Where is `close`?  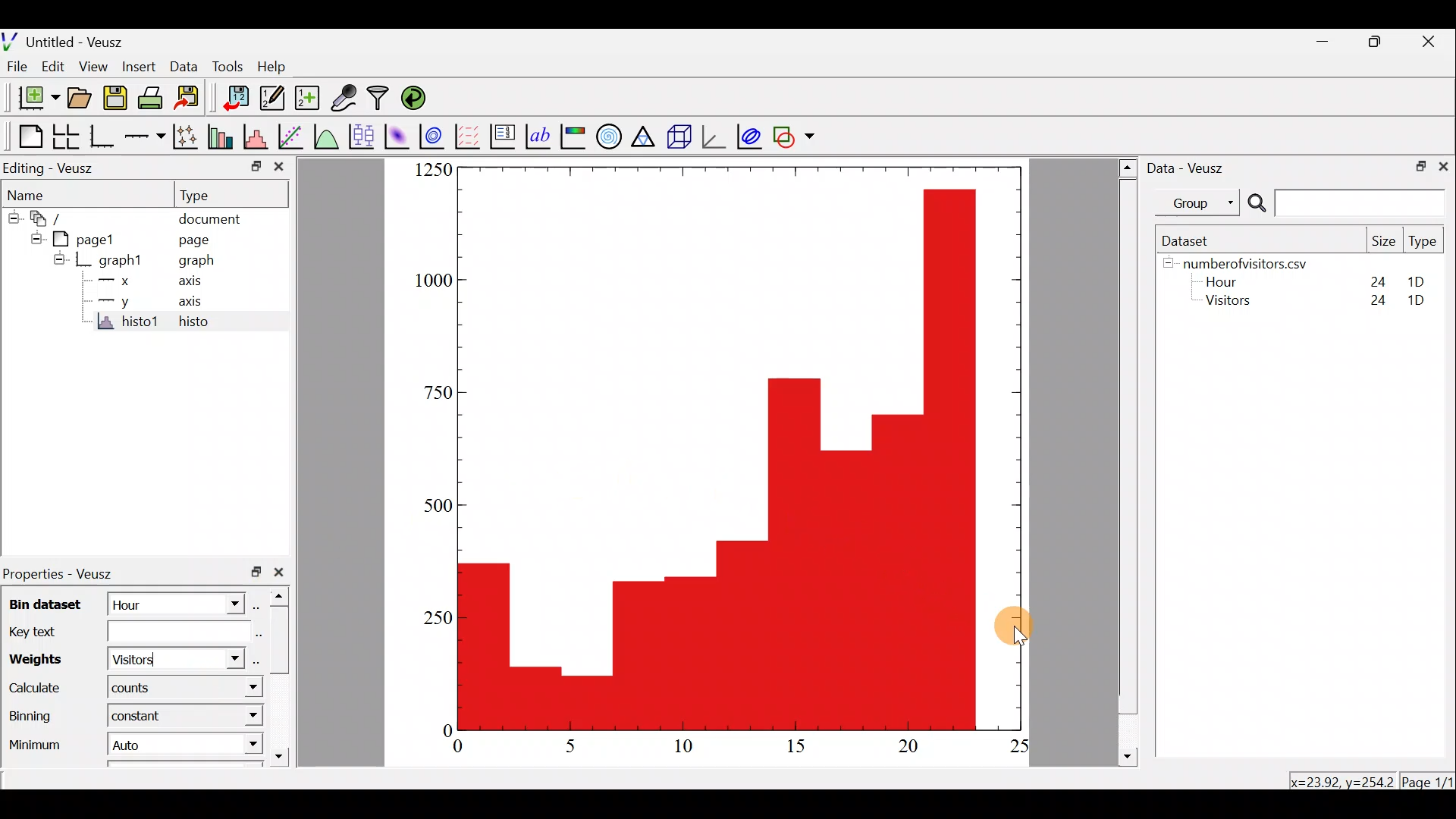 close is located at coordinates (279, 575).